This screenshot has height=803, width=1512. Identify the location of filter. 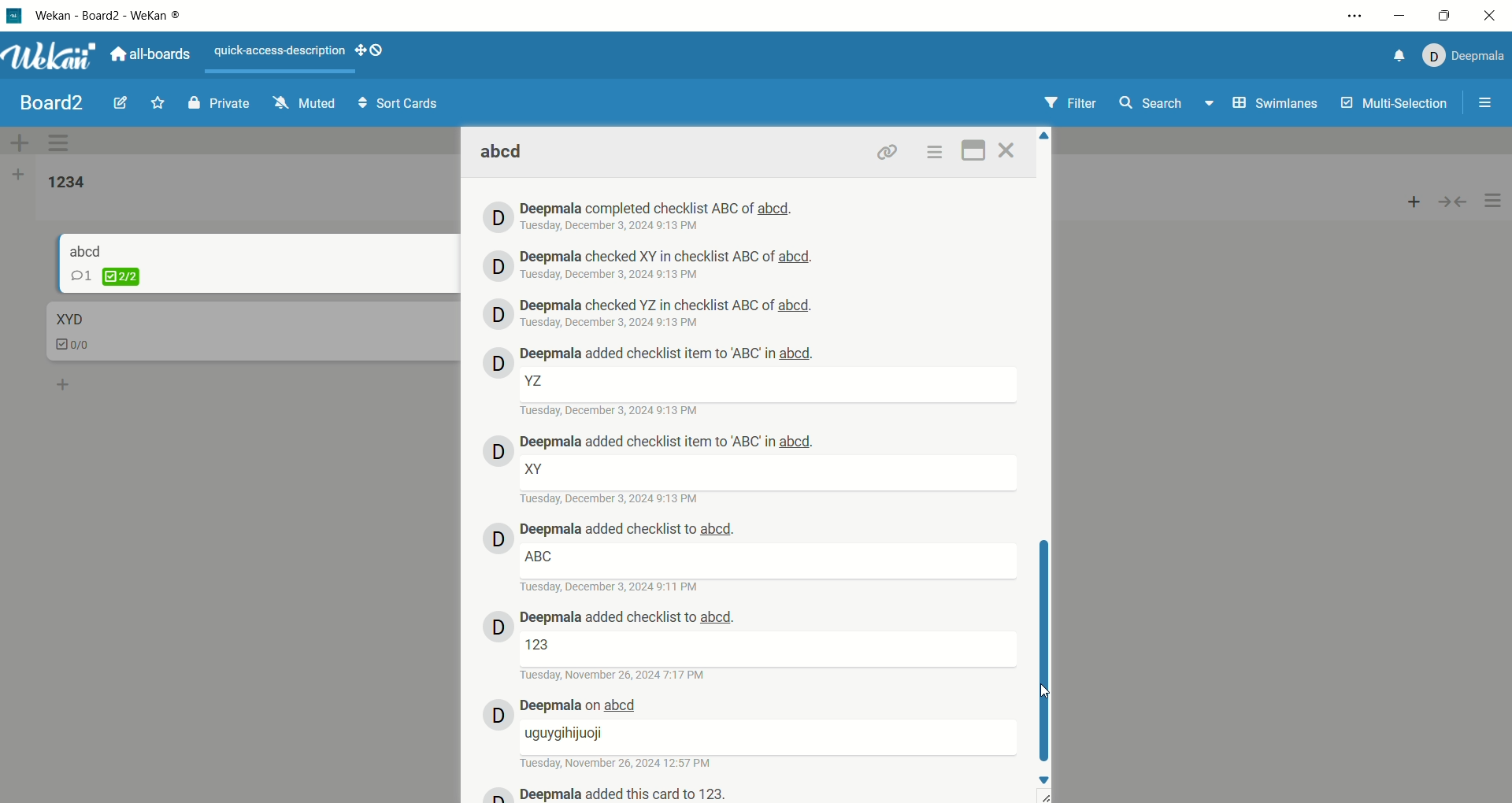
(1073, 104).